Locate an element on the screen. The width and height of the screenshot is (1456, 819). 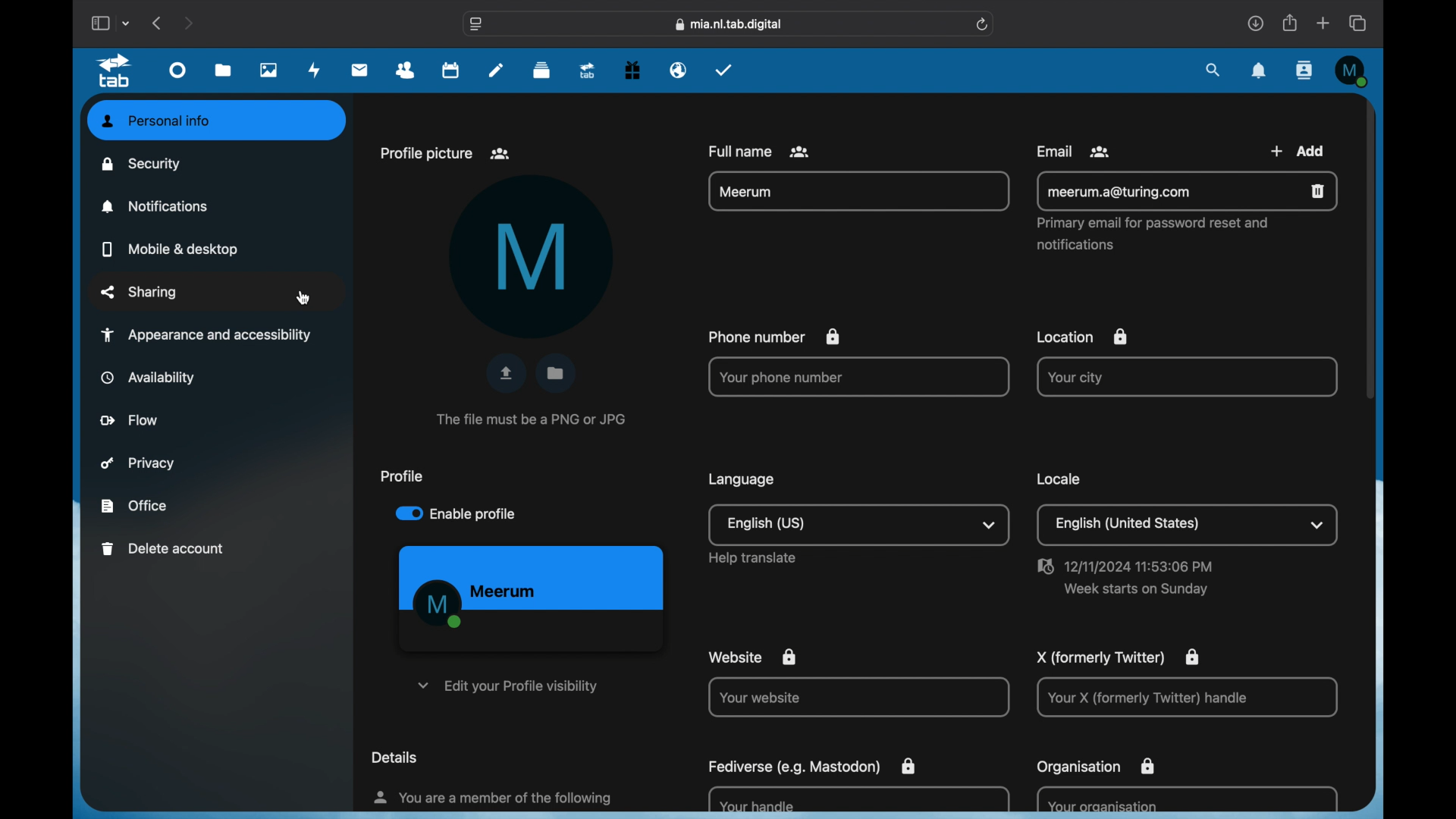
deck is located at coordinates (541, 71).